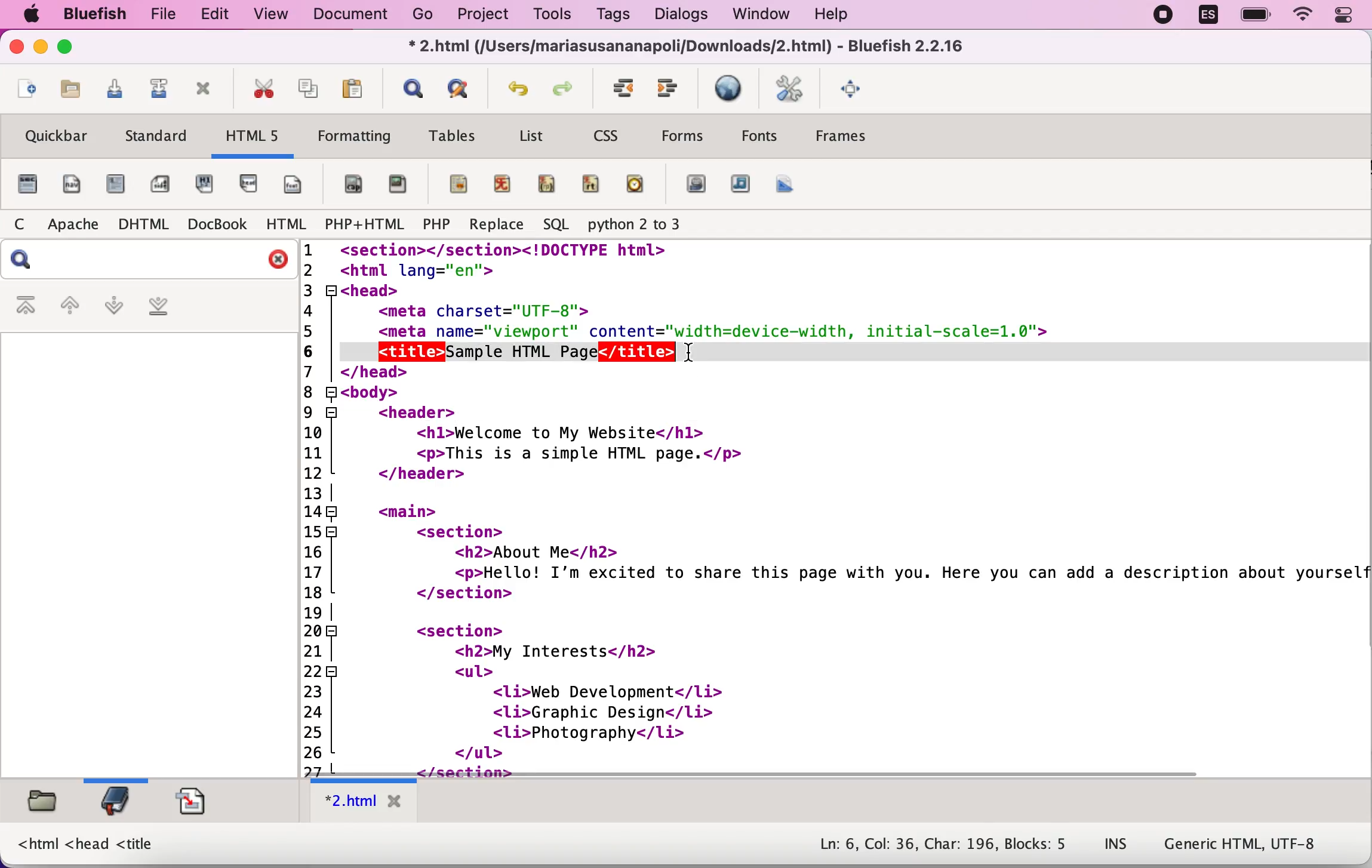 The image size is (1372, 868). What do you see at coordinates (1245, 847) in the screenshot?
I see `Generic HTML, UTF-8` at bounding box center [1245, 847].